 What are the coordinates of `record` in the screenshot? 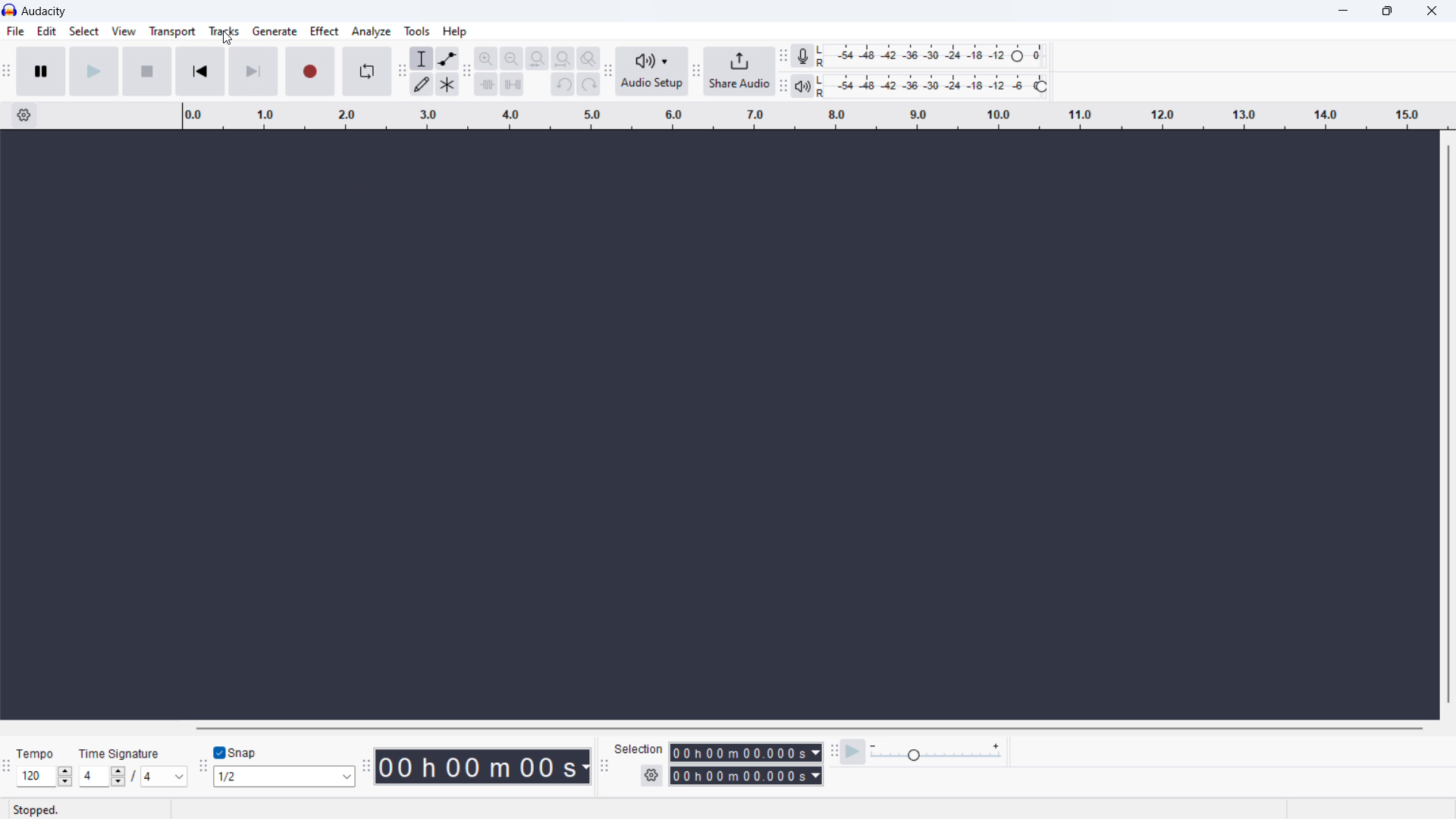 It's located at (309, 71).